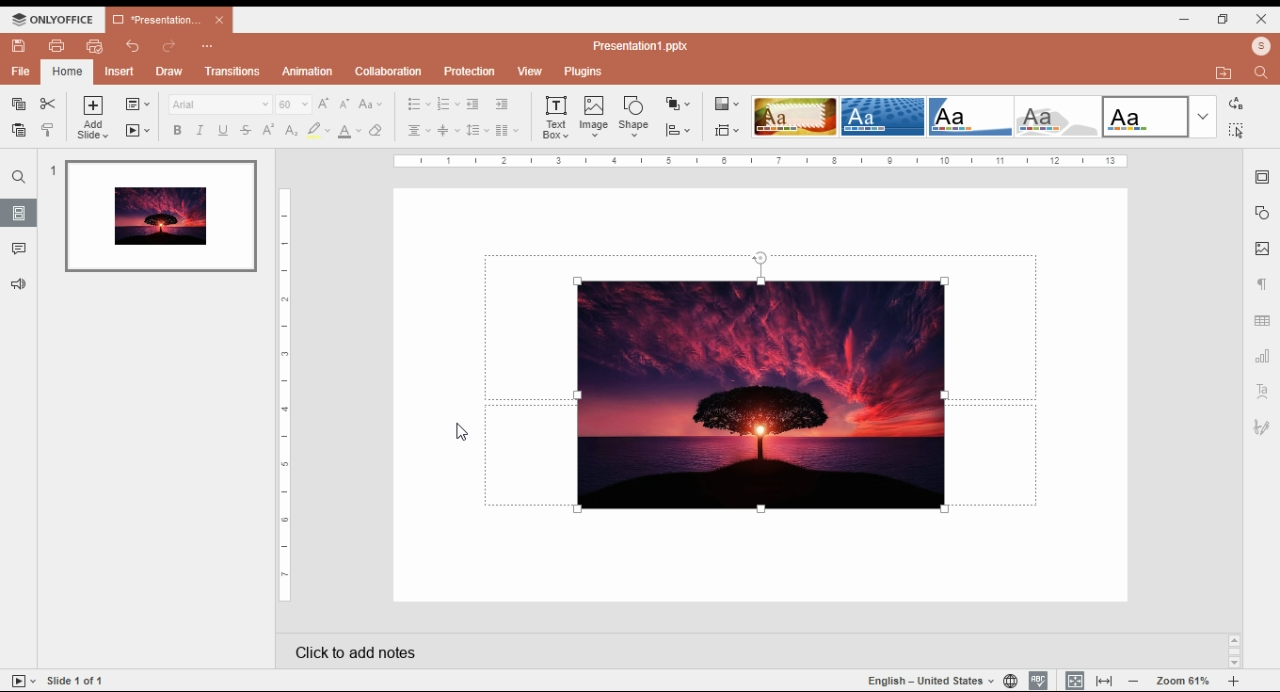  What do you see at coordinates (82, 679) in the screenshot?
I see `Side 1 of 1` at bounding box center [82, 679].